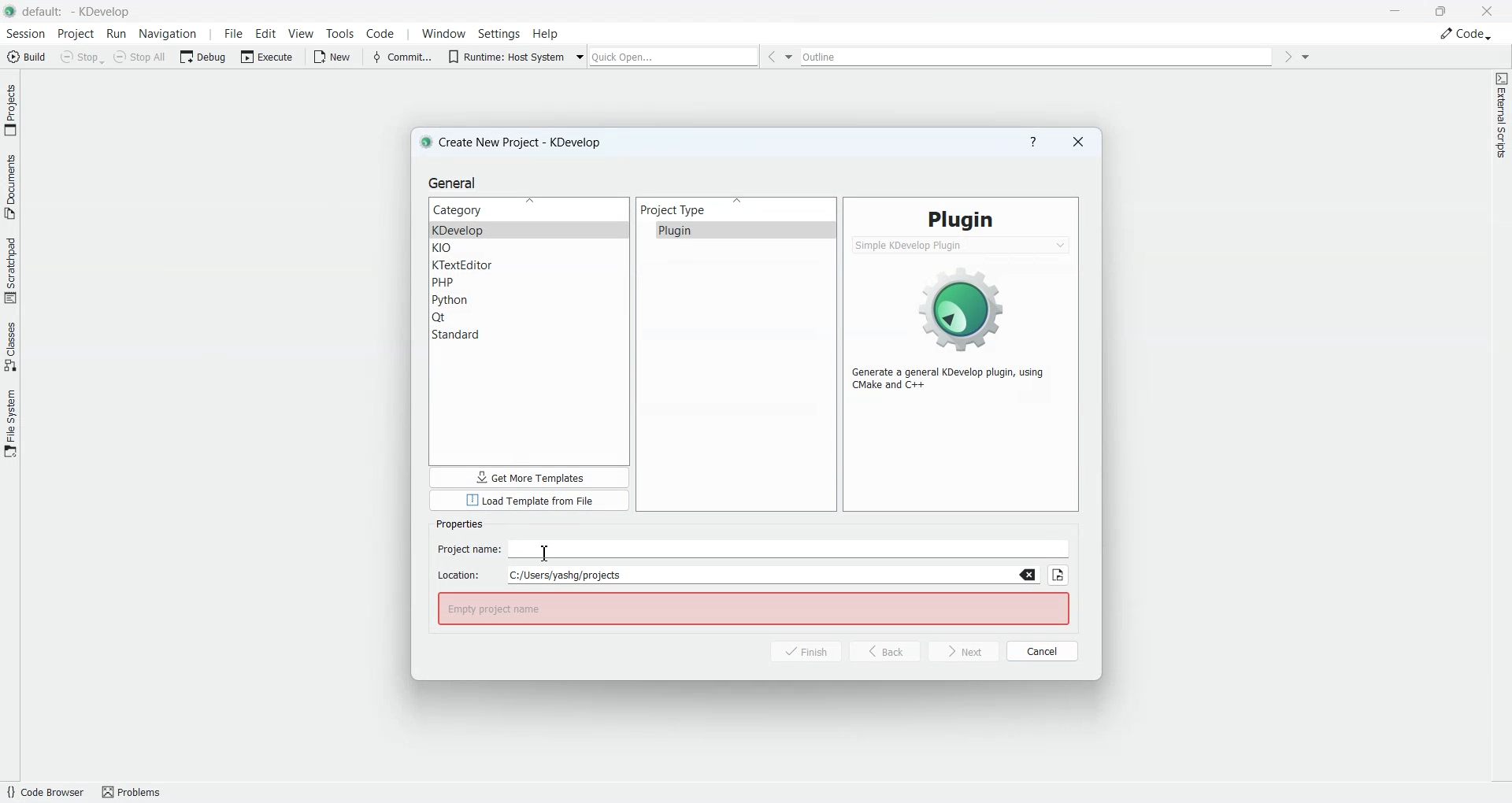 The height and width of the screenshot is (803, 1512). What do you see at coordinates (961, 219) in the screenshot?
I see `Text` at bounding box center [961, 219].